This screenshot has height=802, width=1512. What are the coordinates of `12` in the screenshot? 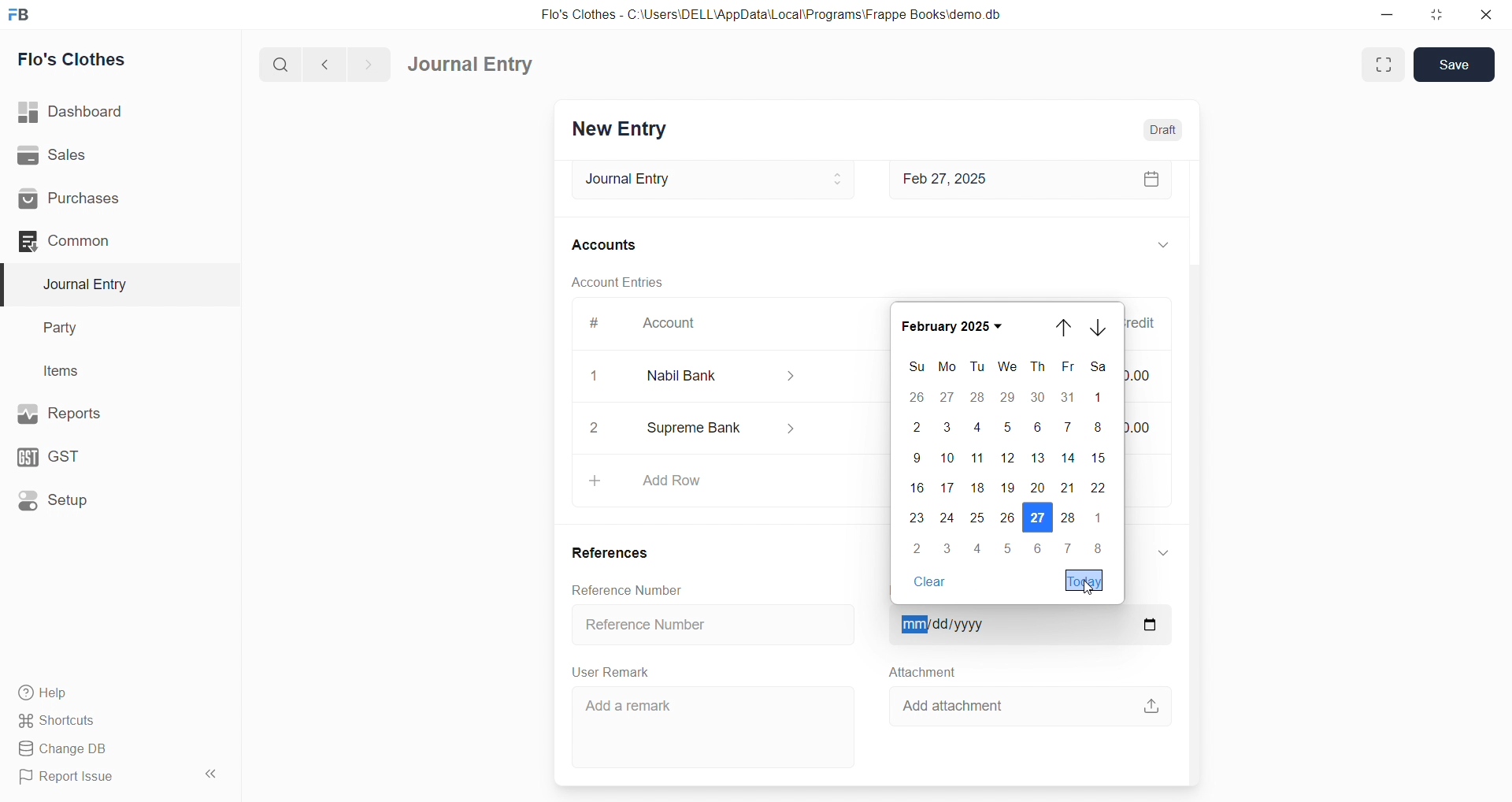 It's located at (1006, 459).